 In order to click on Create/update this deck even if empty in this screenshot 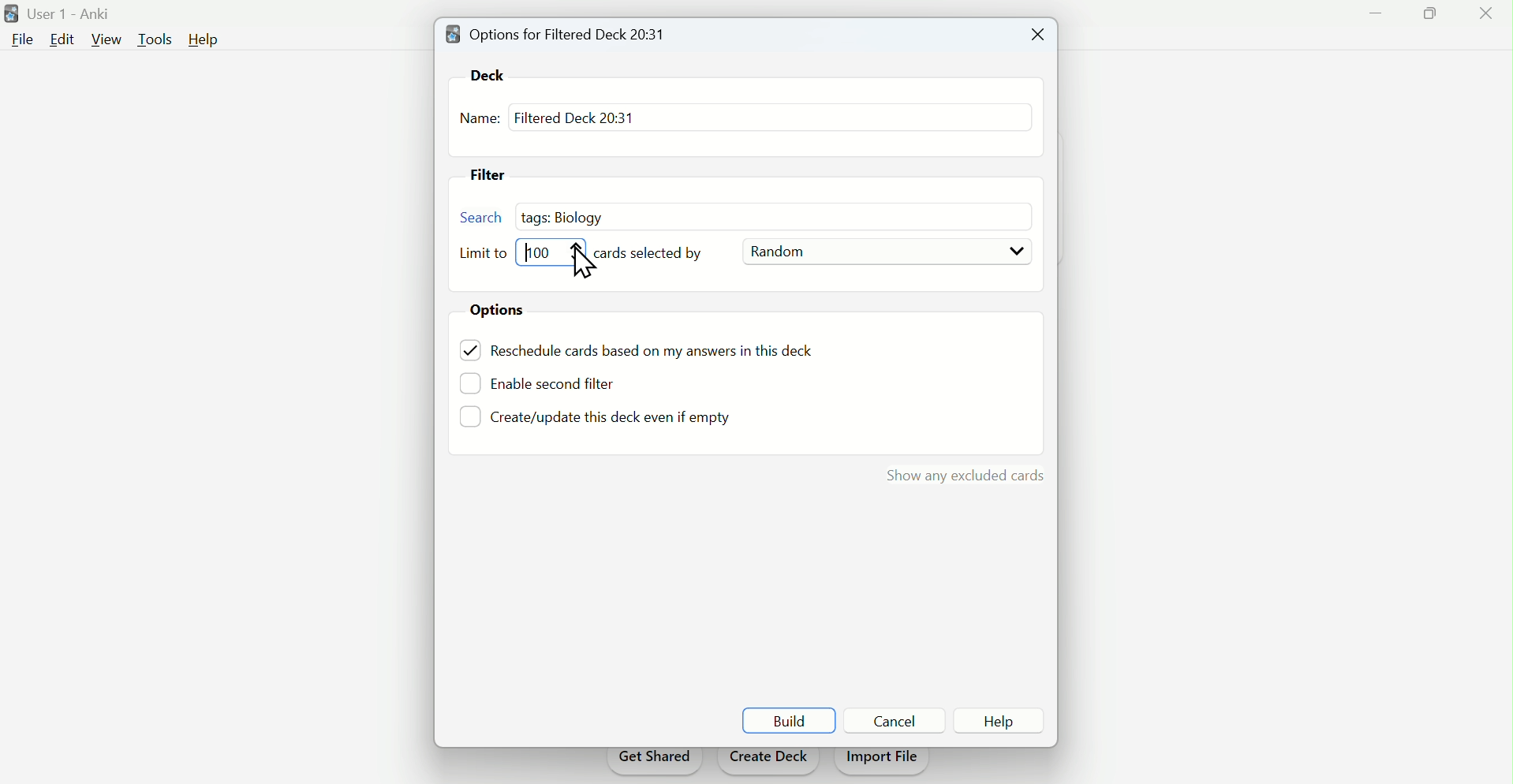, I will do `click(608, 416)`.